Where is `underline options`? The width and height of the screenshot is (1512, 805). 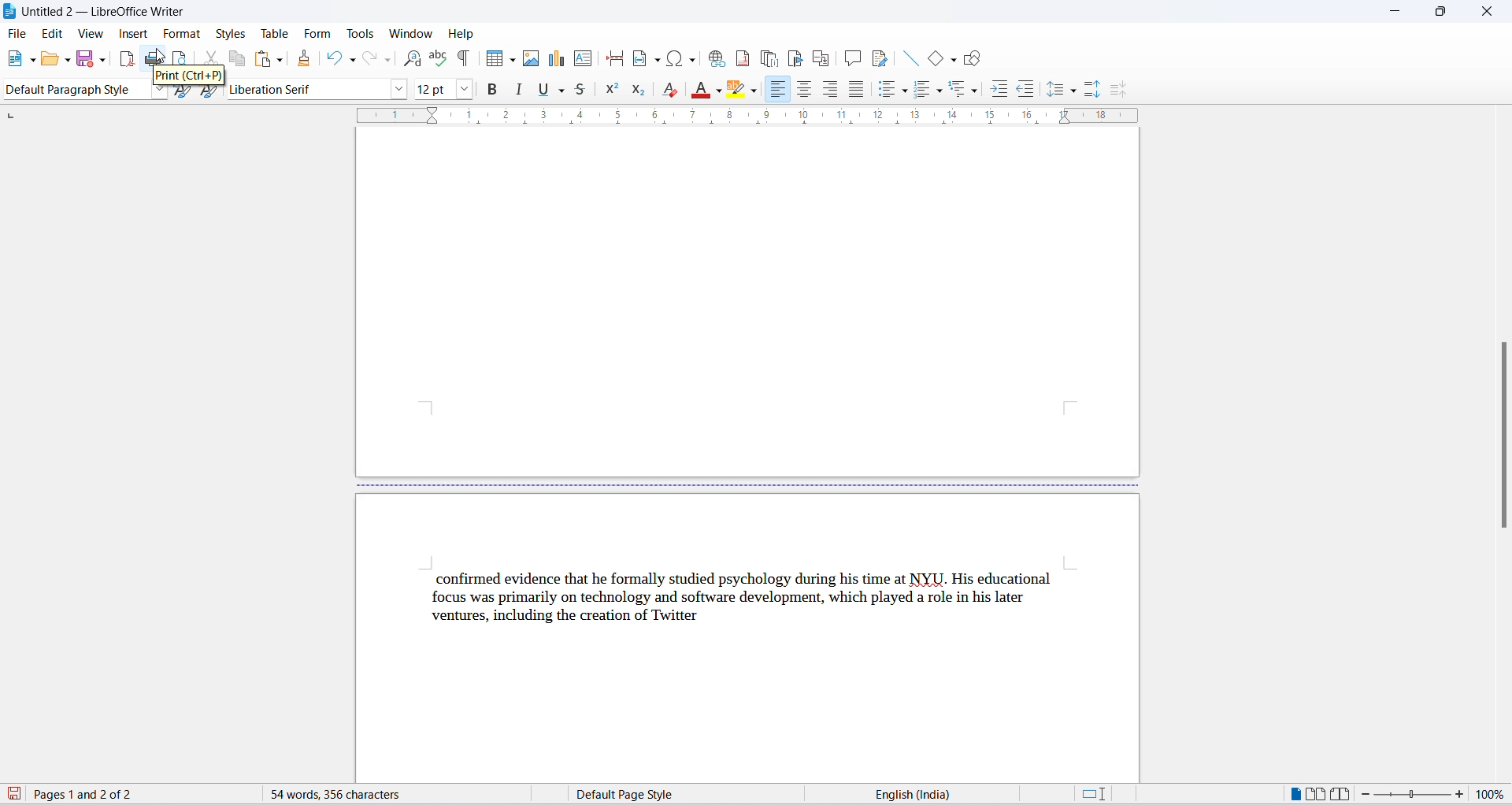 underline options is located at coordinates (561, 89).